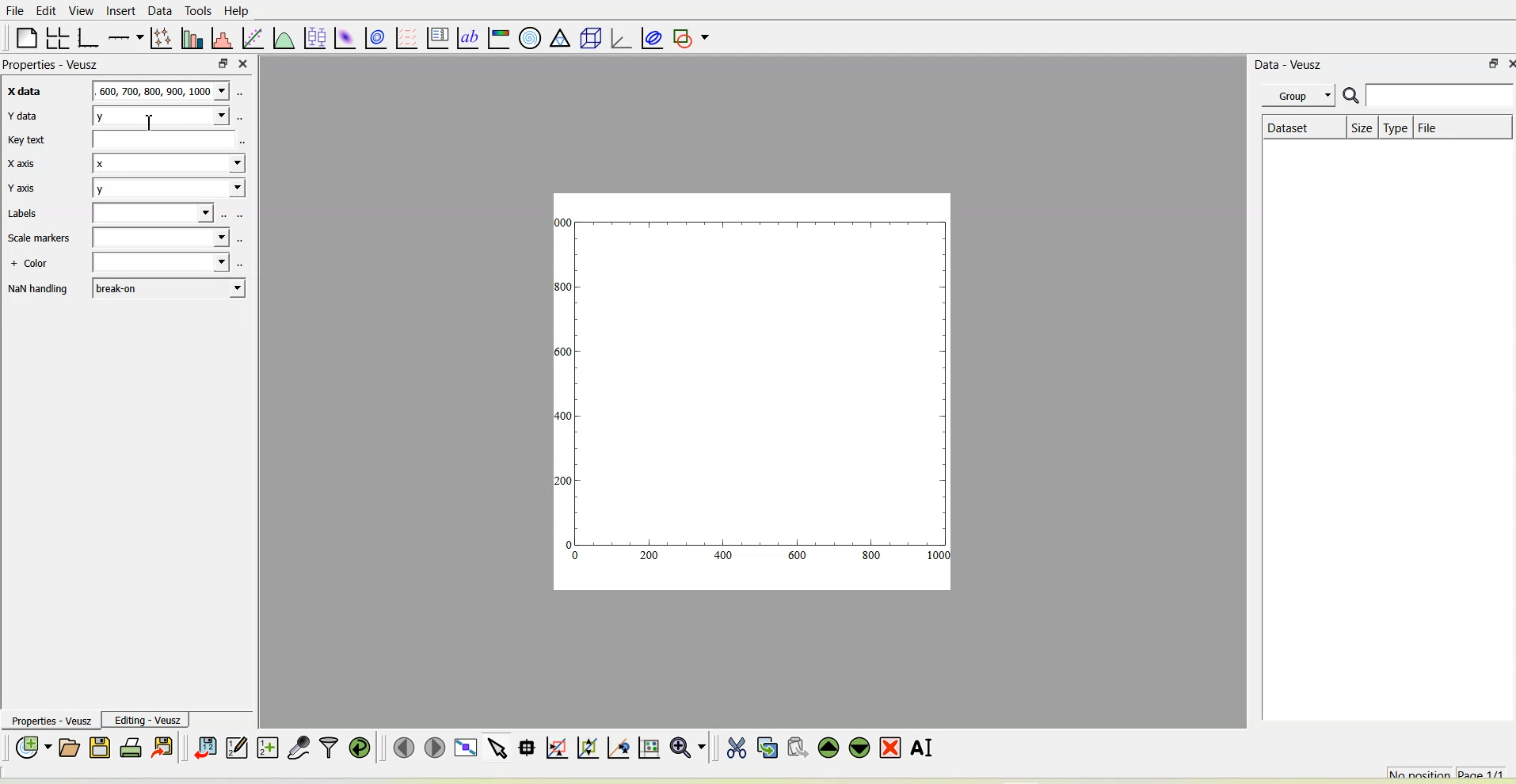 The image size is (1516, 784). Describe the element at coordinates (619, 36) in the screenshot. I see `3d graph` at that location.